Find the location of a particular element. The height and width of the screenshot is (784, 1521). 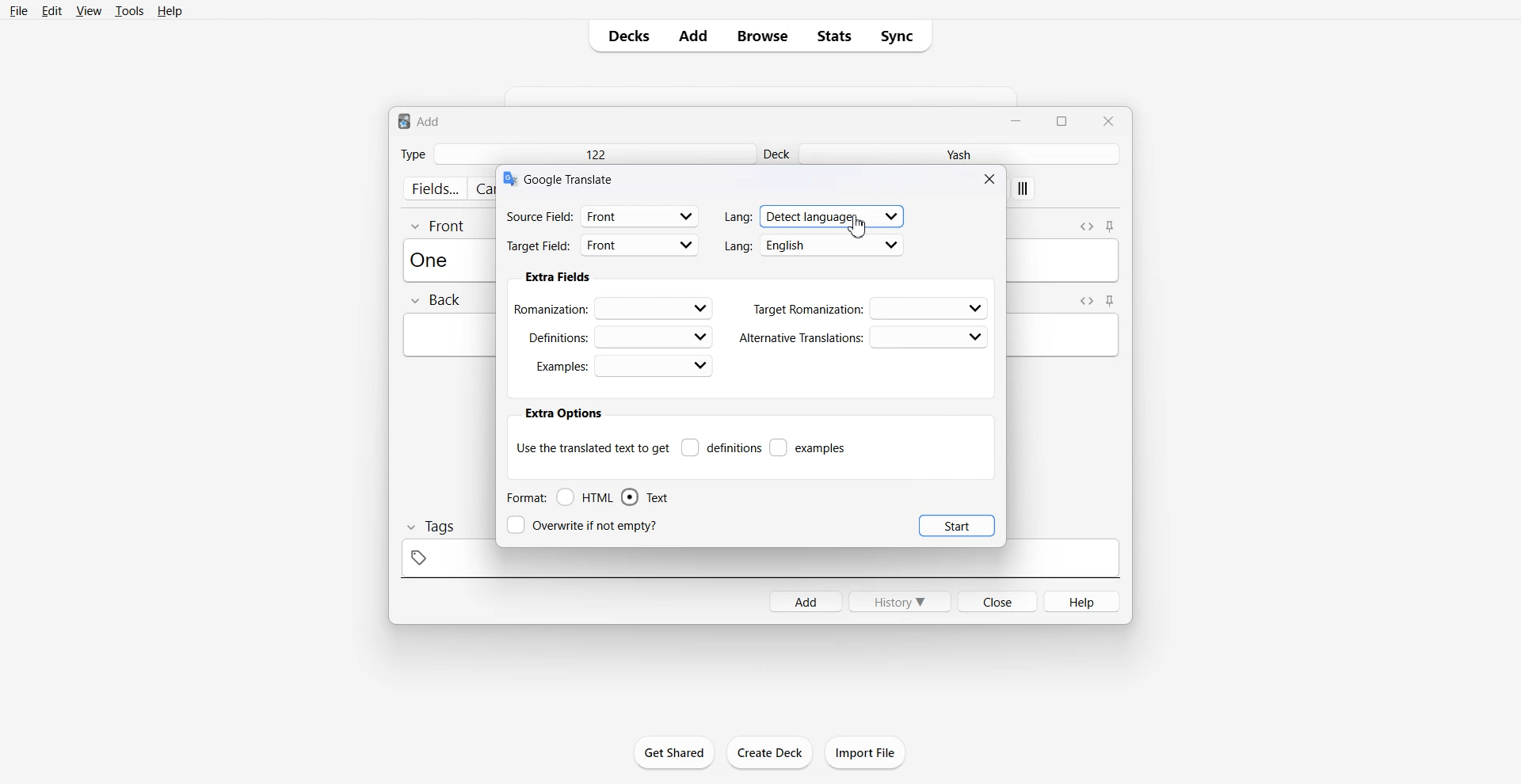

language is located at coordinates (814, 245).